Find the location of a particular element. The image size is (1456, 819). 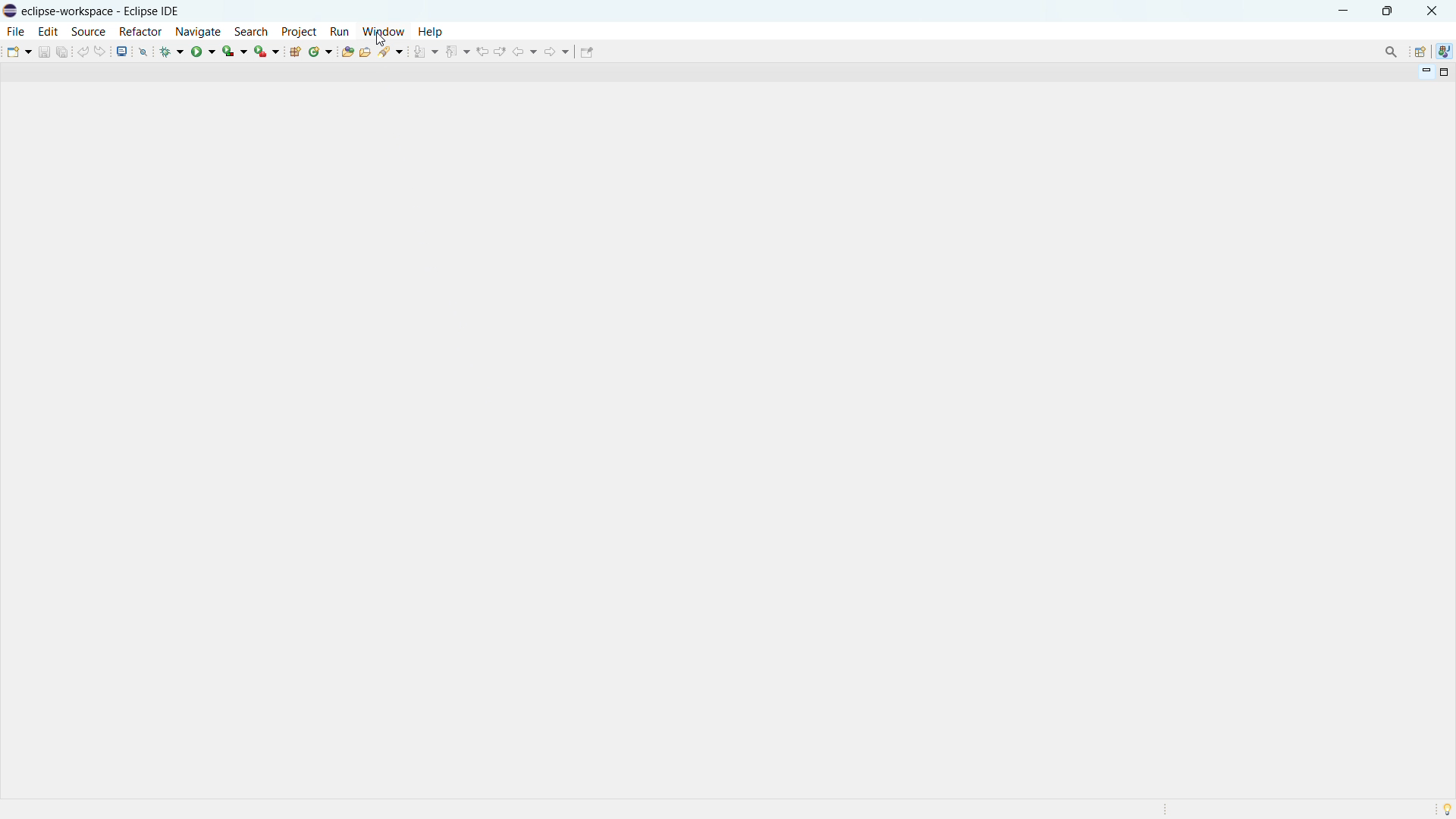

redo is located at coordinates (102, 50).